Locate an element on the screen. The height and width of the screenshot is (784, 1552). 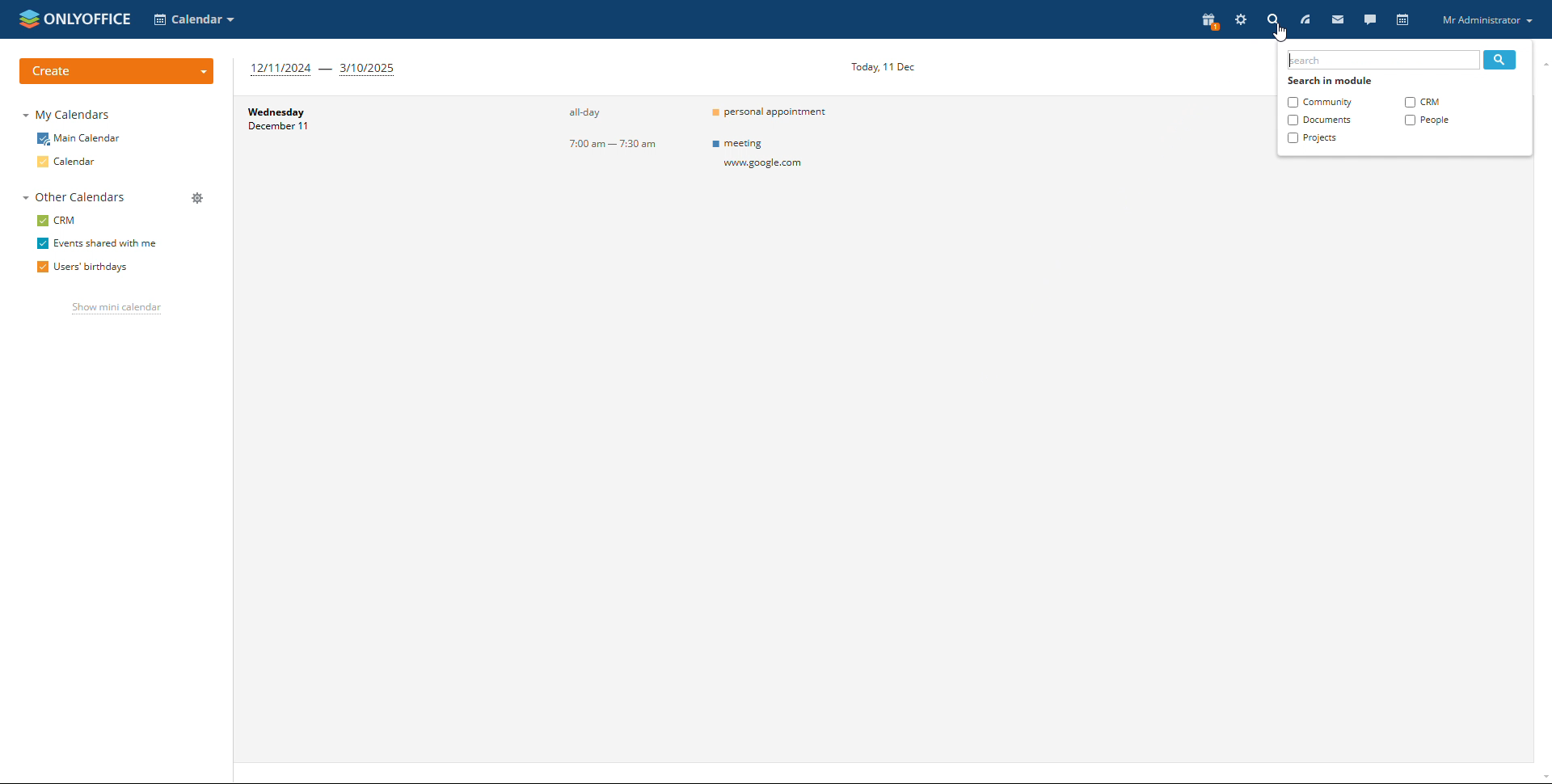
search in module is located at coordinates (1328, 80).